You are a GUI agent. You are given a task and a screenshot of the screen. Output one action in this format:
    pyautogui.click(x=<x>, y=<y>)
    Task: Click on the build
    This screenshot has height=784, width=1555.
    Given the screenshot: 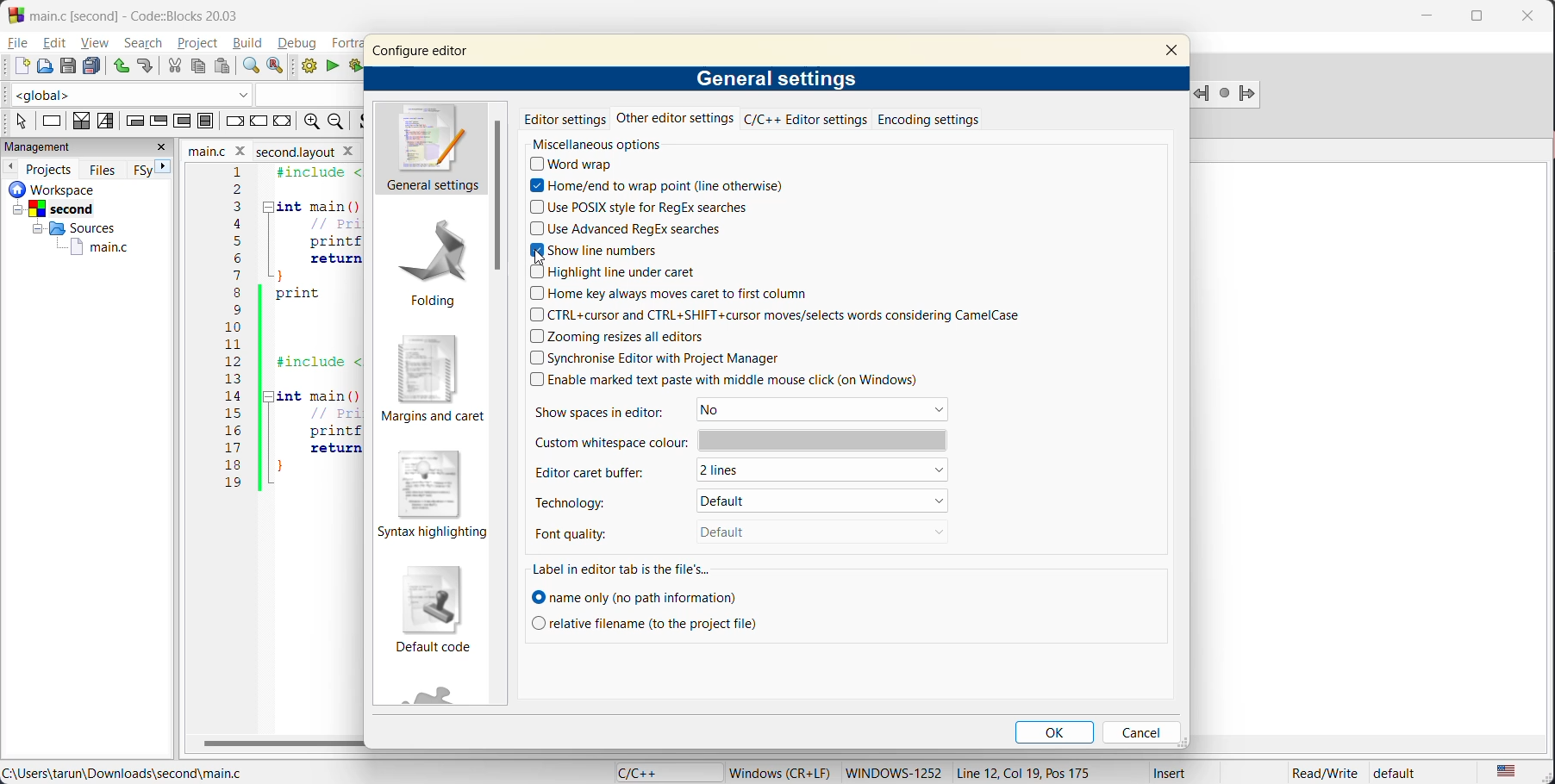 What is the action you would take?
    pyautogui.click(x=307, y=68)
    